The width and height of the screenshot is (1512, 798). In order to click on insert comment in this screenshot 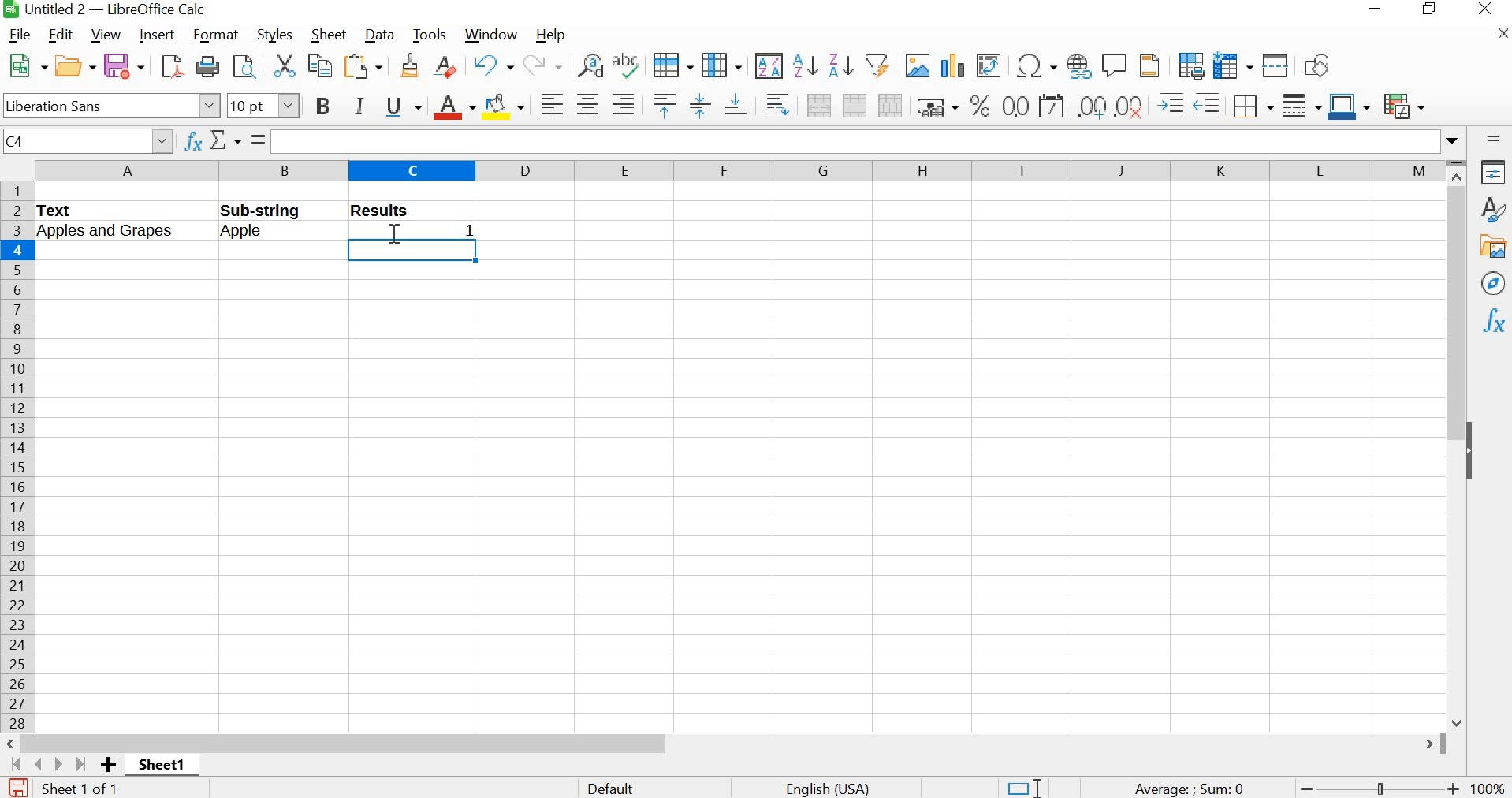, I will do `click(1115, 64)`.